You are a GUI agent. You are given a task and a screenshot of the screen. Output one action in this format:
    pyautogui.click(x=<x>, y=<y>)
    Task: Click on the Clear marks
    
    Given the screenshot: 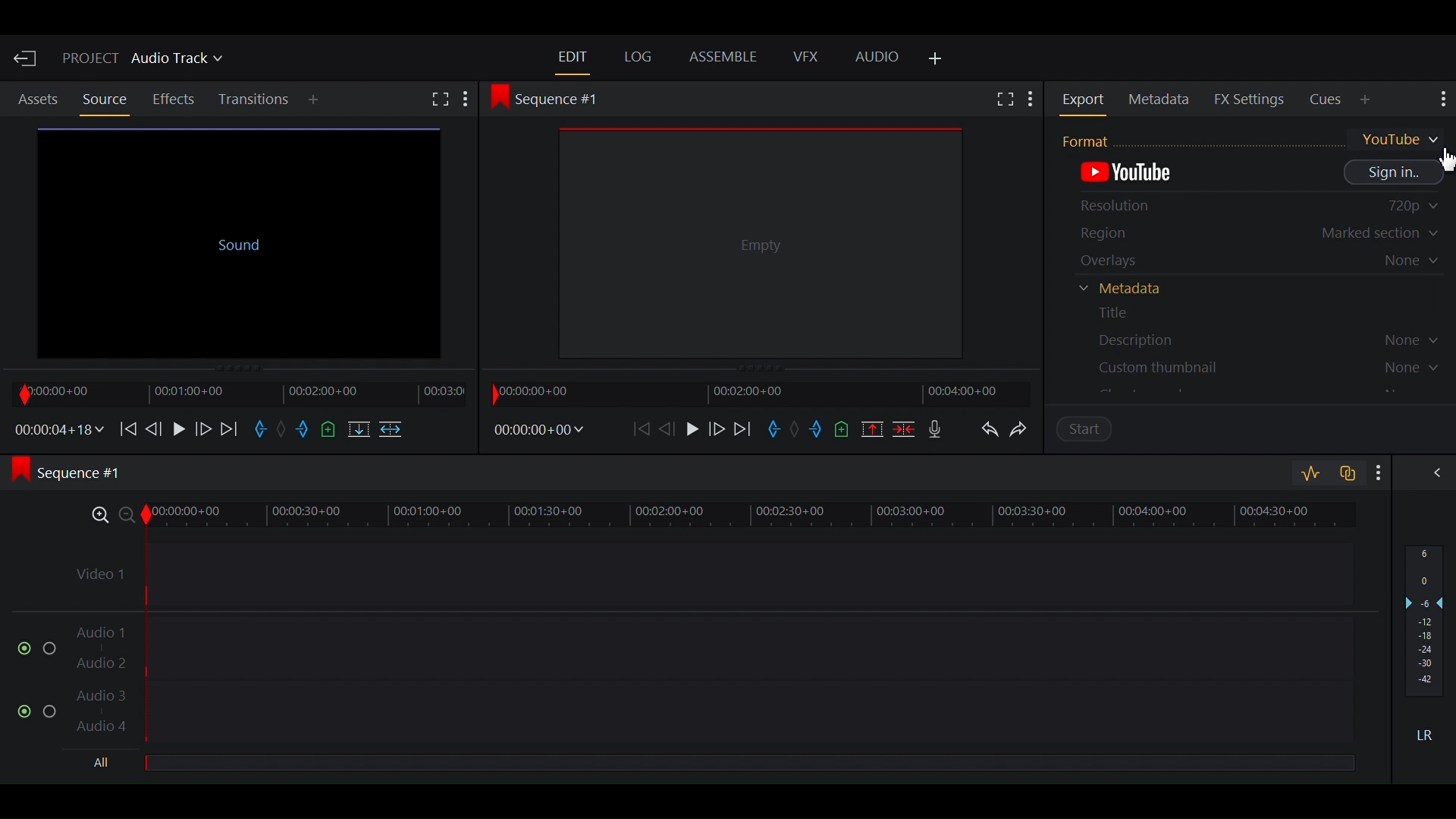 What is the action you would take?
    pyautogui.click(x=797, y=431)
    